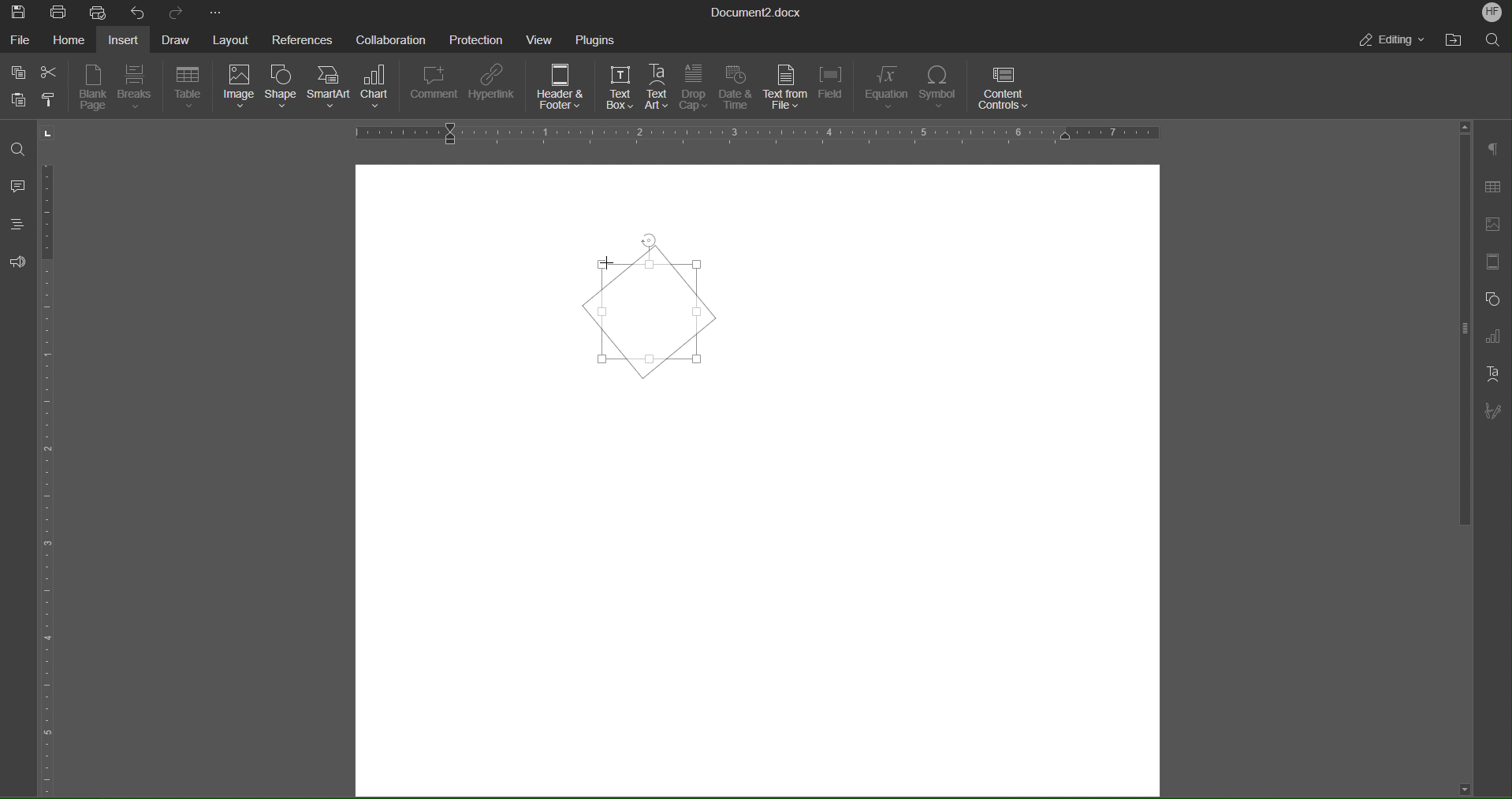 The width and height of the screenshot is (1512, 799). What do you see at coordinates (20, 11) in the screenshot?
I see `Save` at bounding box center [20, 11].